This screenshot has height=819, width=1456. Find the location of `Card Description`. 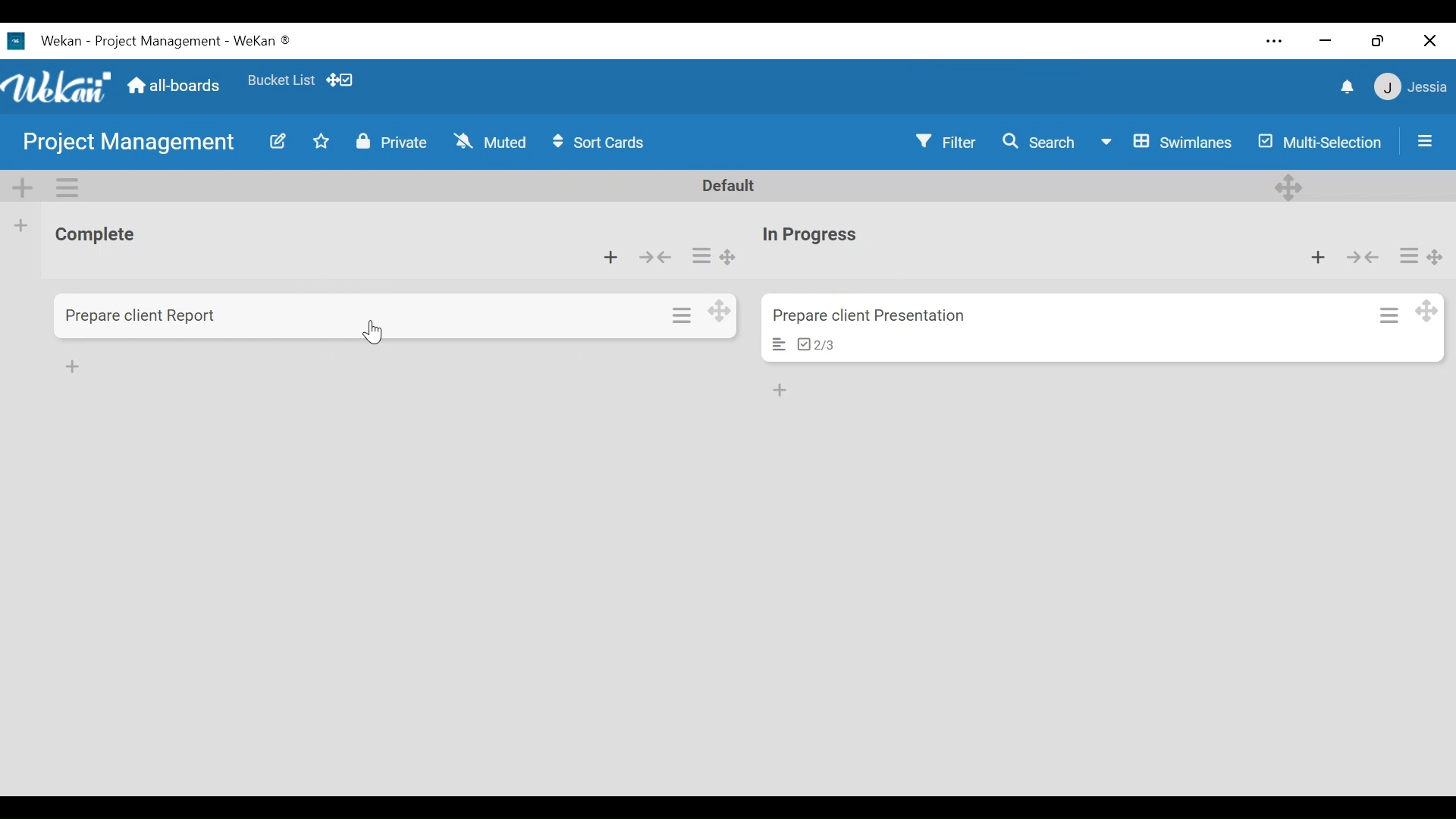

Card Description is located at coordinates (780, 344).